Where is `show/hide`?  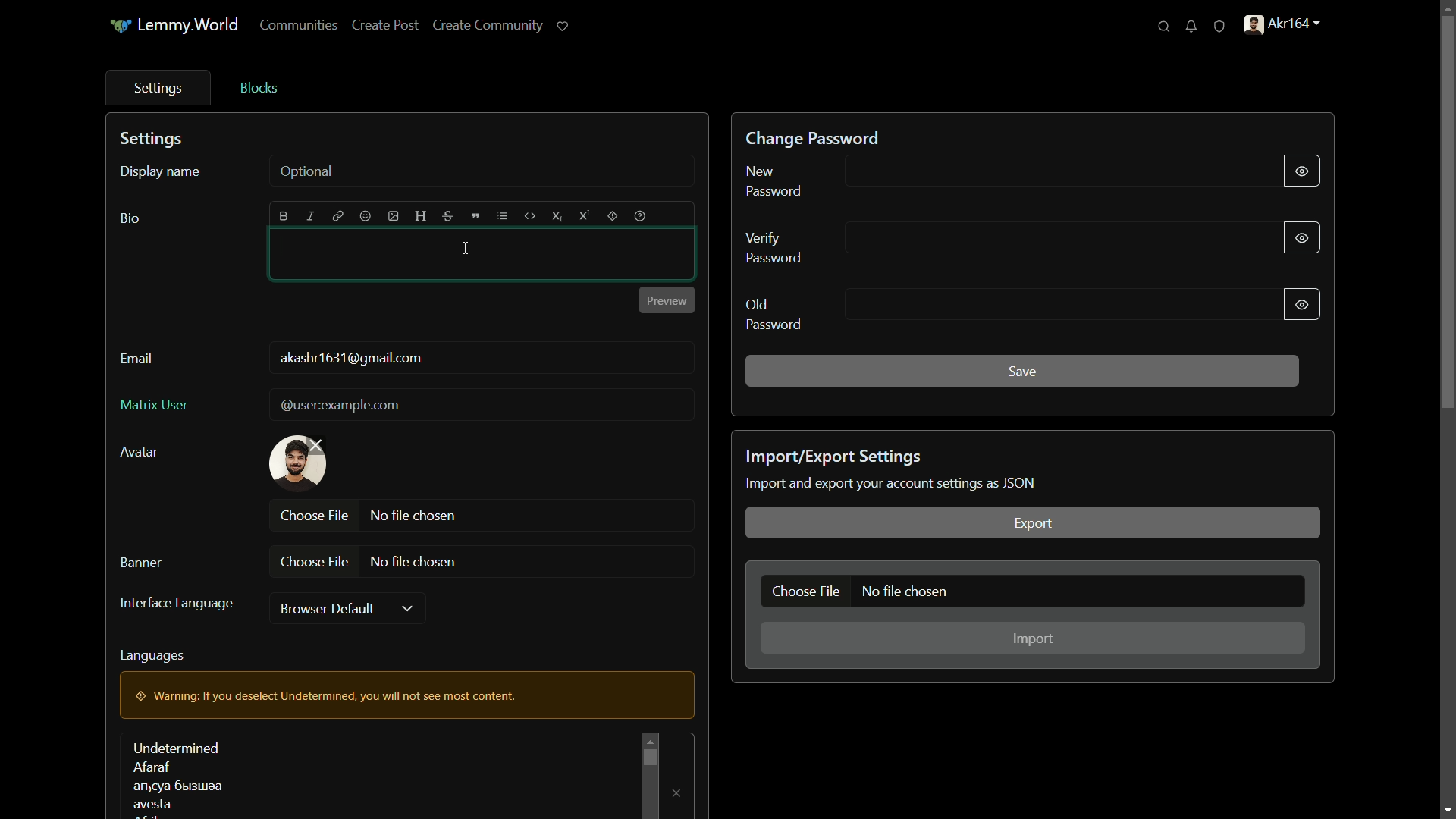
show/hide is located at coordinates (1301, 239).